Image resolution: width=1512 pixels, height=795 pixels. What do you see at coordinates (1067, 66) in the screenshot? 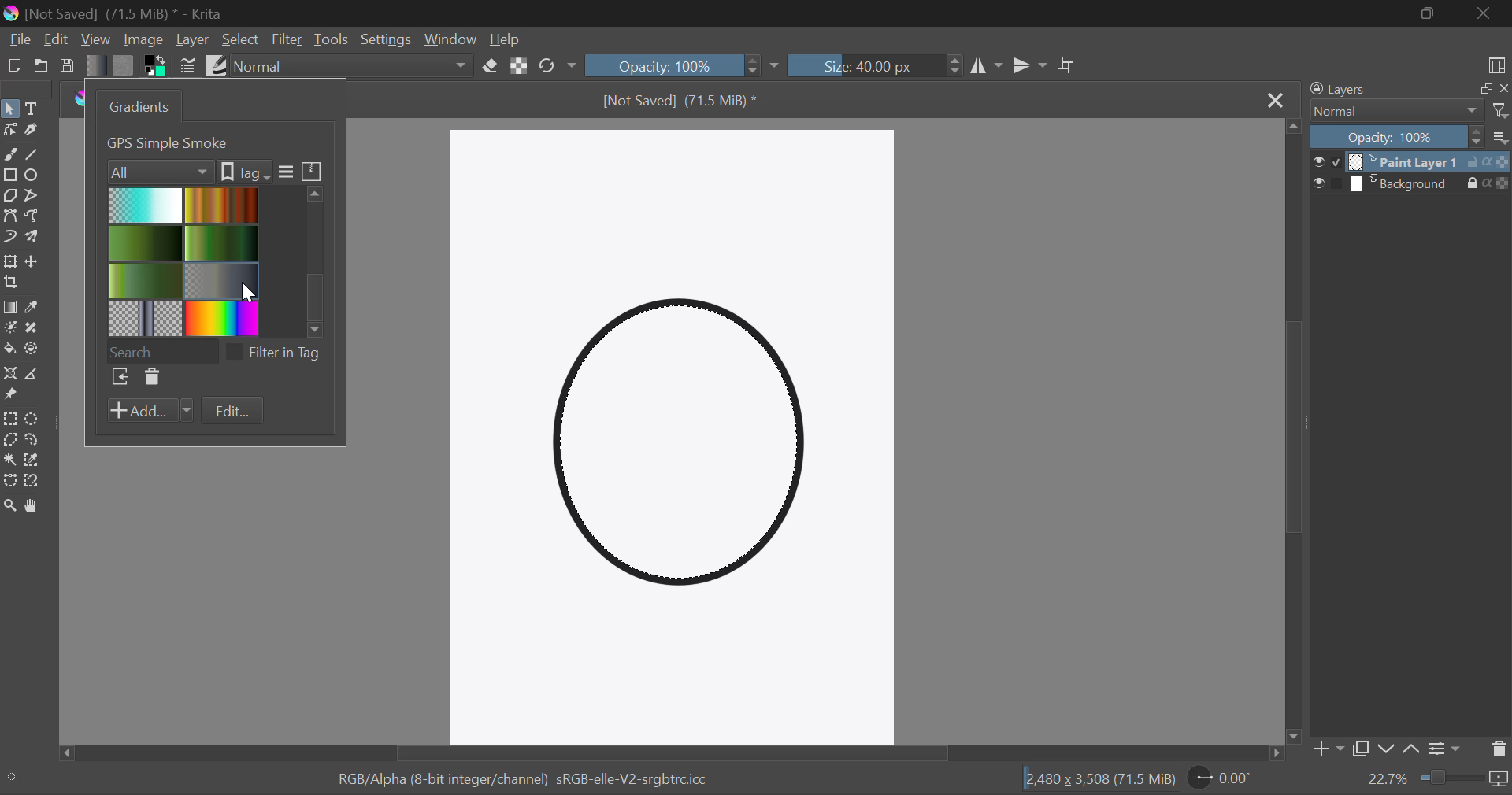
I see `Crop` at bounding box center [1067, 66].